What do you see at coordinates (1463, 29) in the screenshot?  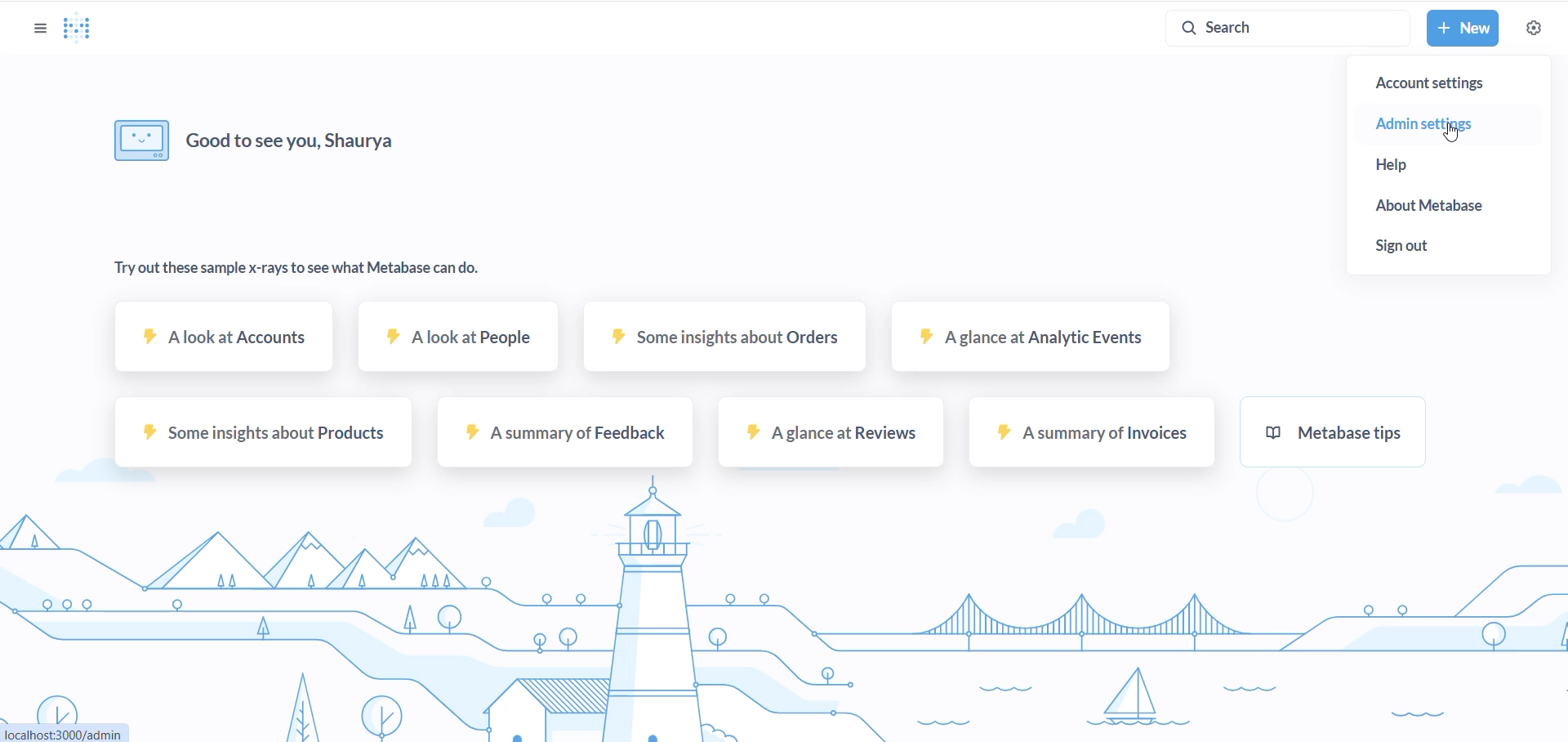 I see `new ` at bounding box center [1463, 29].